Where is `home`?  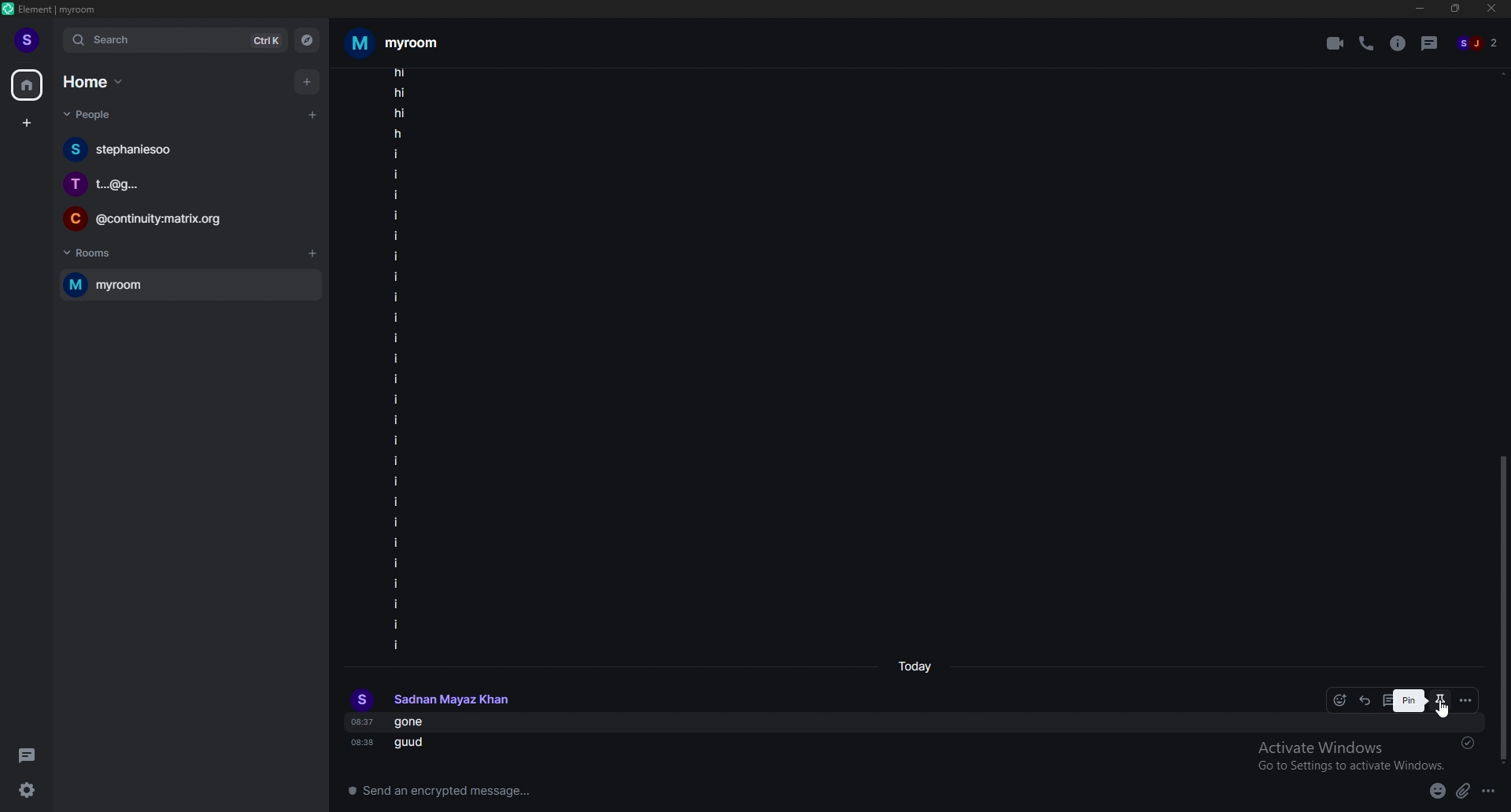
home is located at coordinates (93, 82).